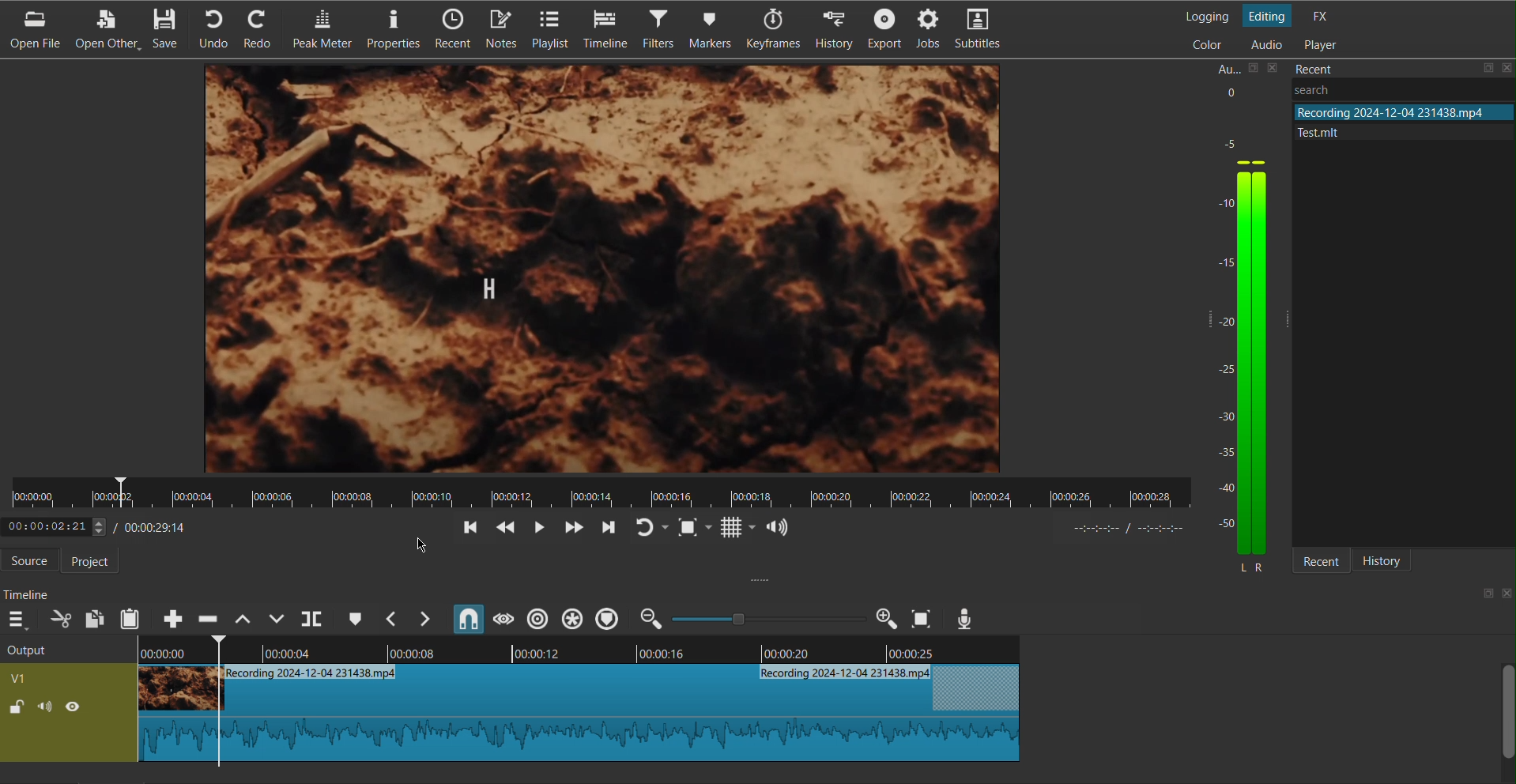  What do you see at coordinates (771, 32) in the screenshot?
I see `Keyframes` at bounding box center [771, 32].